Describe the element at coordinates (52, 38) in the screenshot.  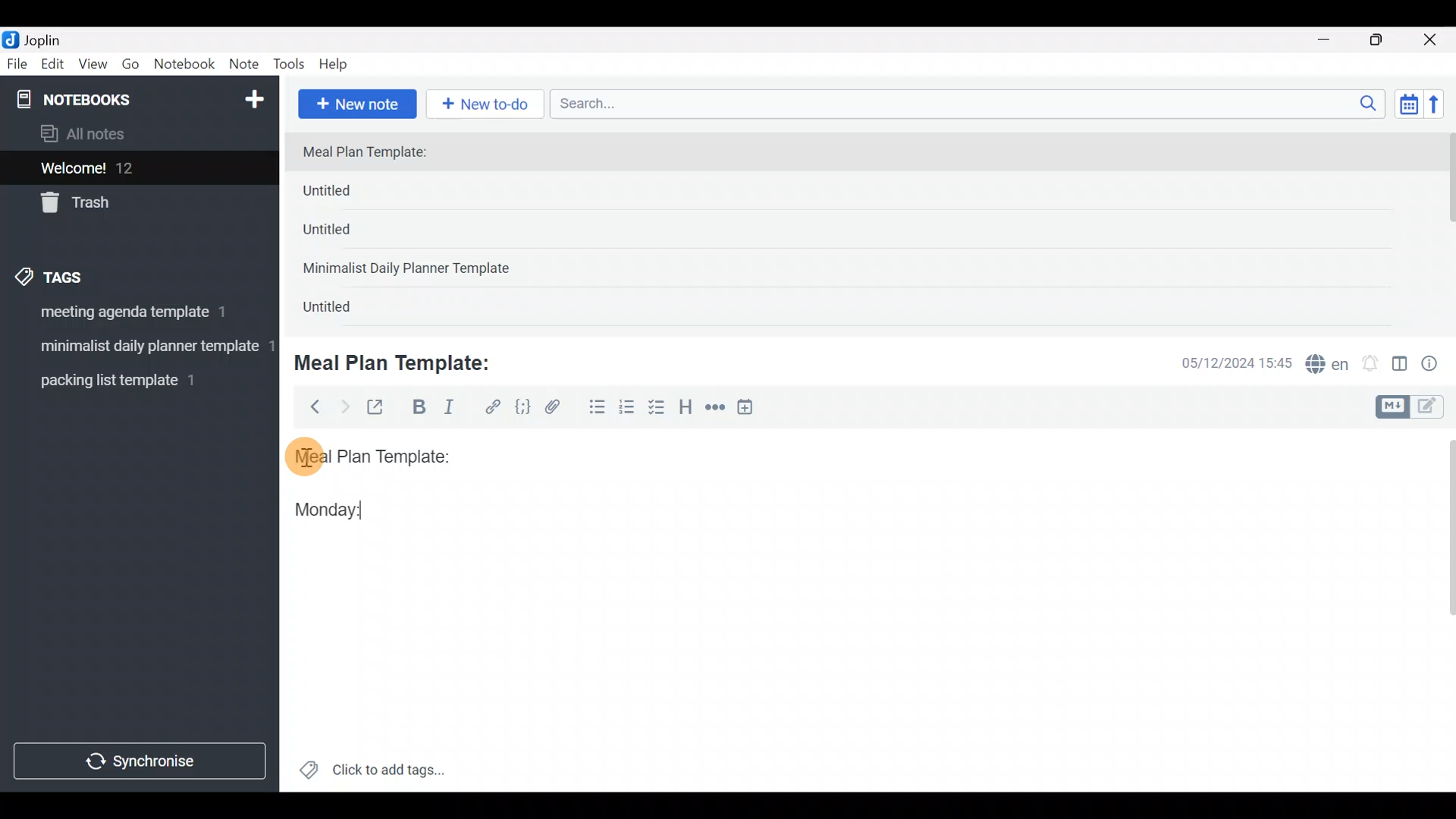
I see `Joplin` at that location.